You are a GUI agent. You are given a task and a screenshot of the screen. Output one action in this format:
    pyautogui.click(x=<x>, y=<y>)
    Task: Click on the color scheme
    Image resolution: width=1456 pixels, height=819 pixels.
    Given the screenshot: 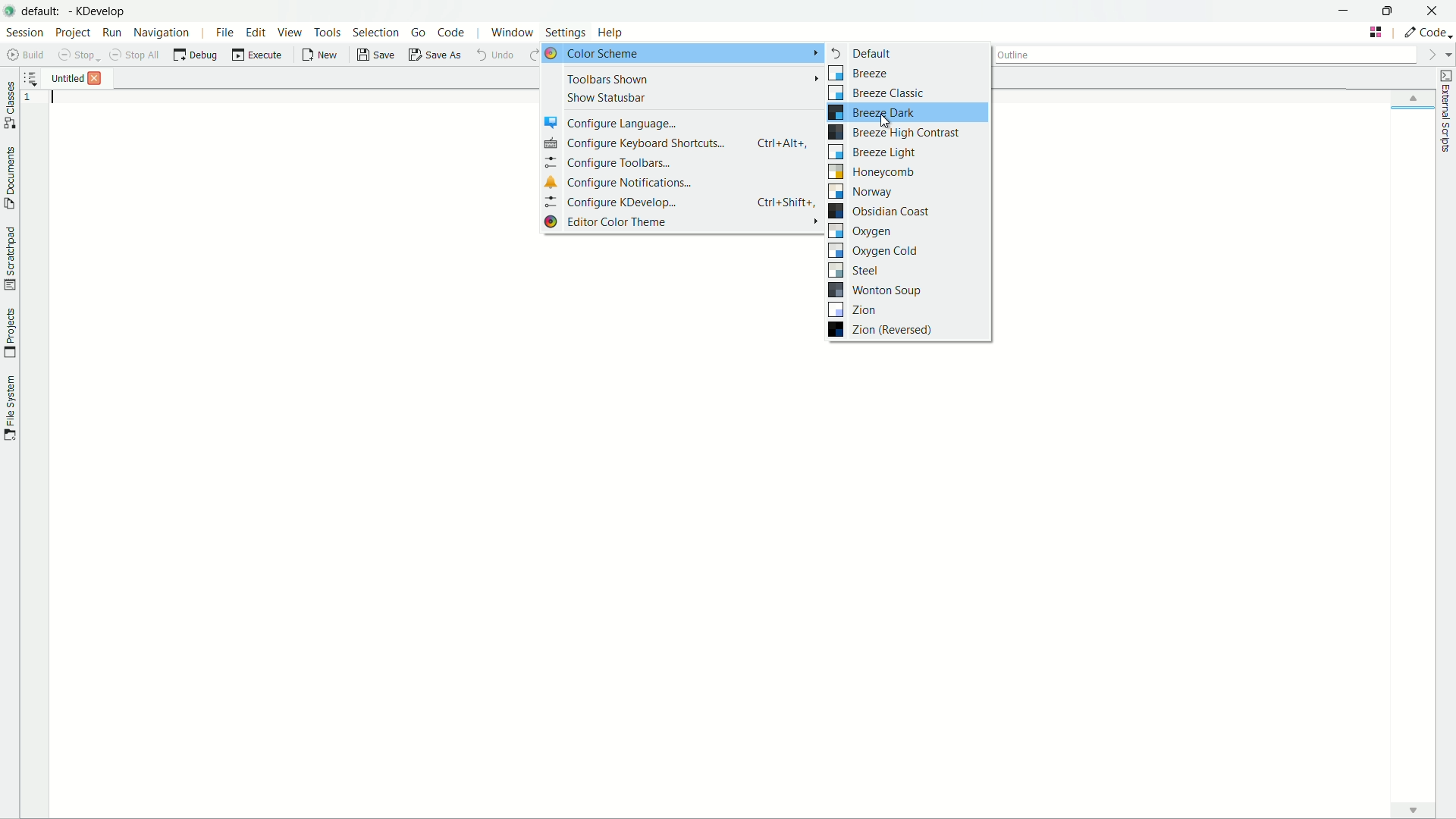 What is the action you would take?
    pyautogui.click(x=683, y=53)
    